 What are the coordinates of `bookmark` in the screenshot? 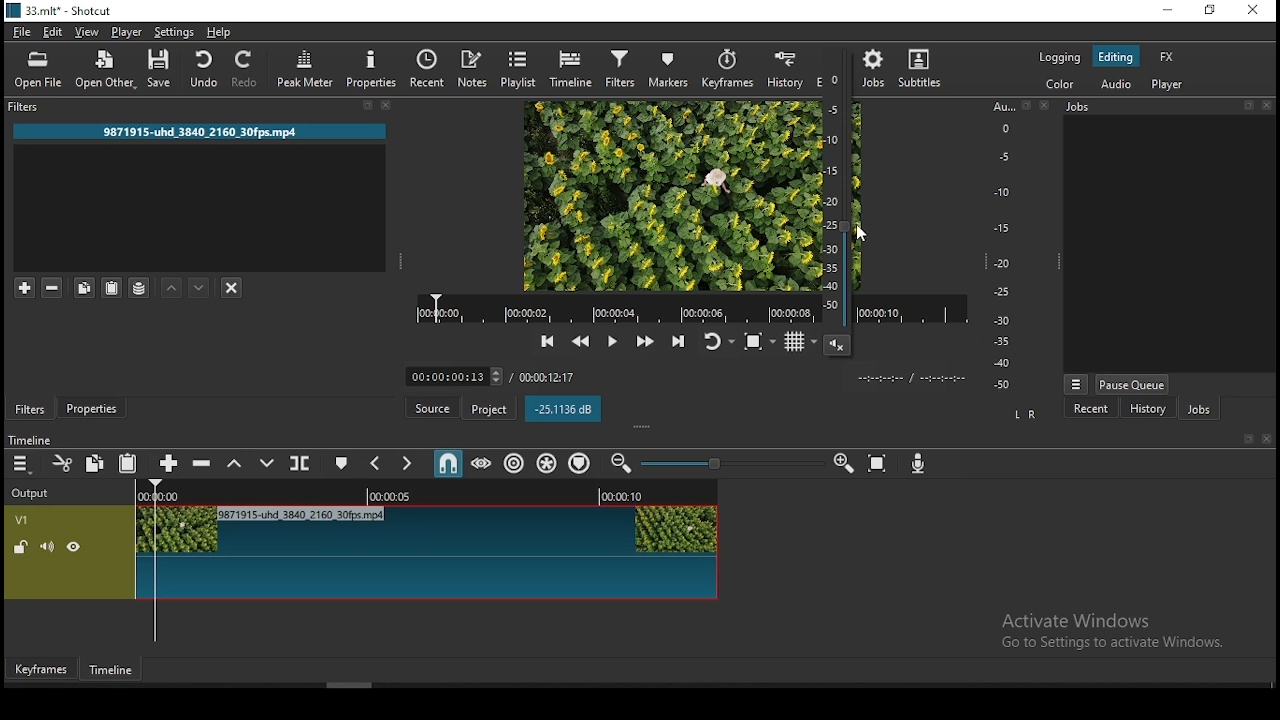 It's located at (1243, 110).